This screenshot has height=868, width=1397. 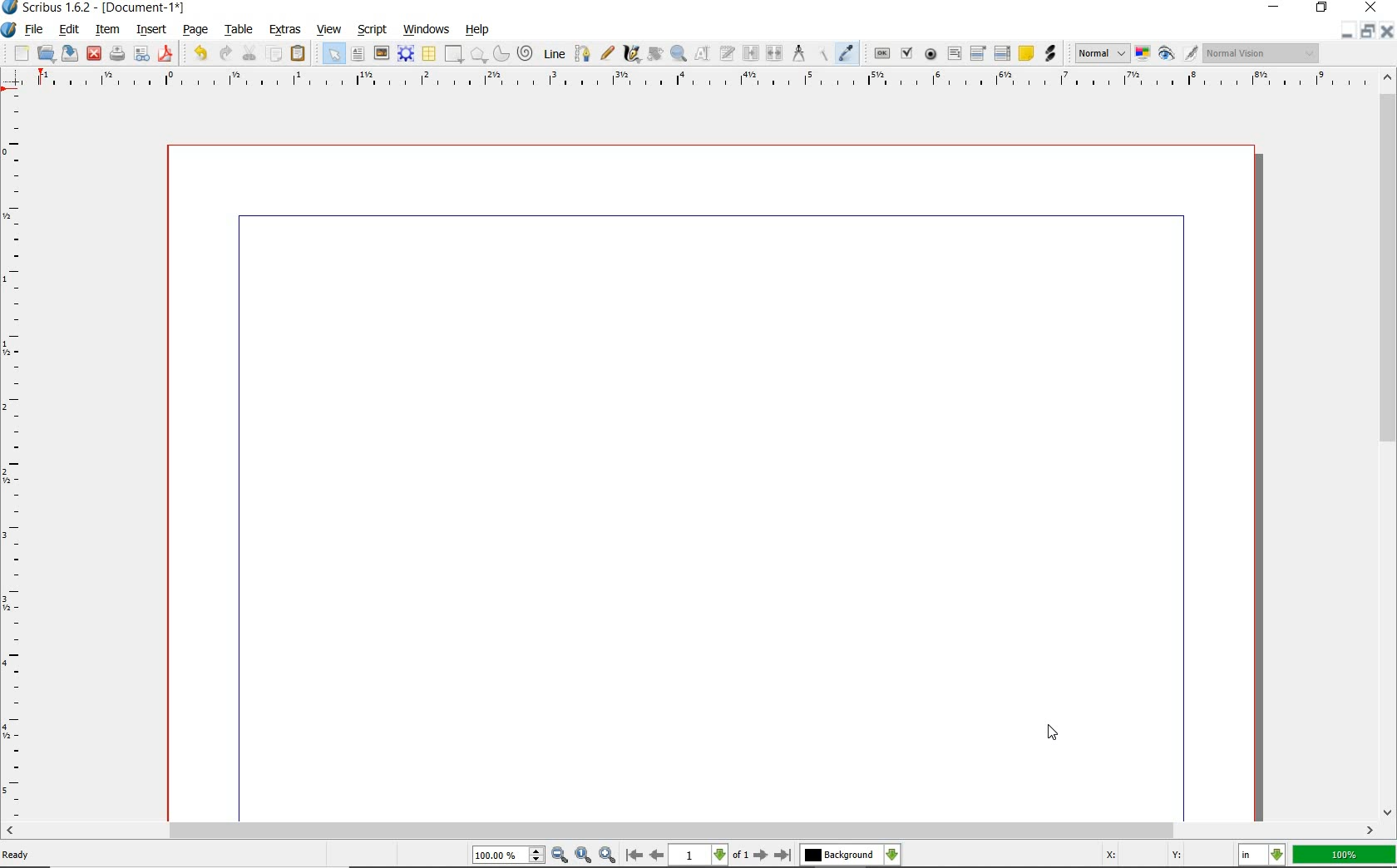 I want to click on pdf text field, so click(x=954, y=56).